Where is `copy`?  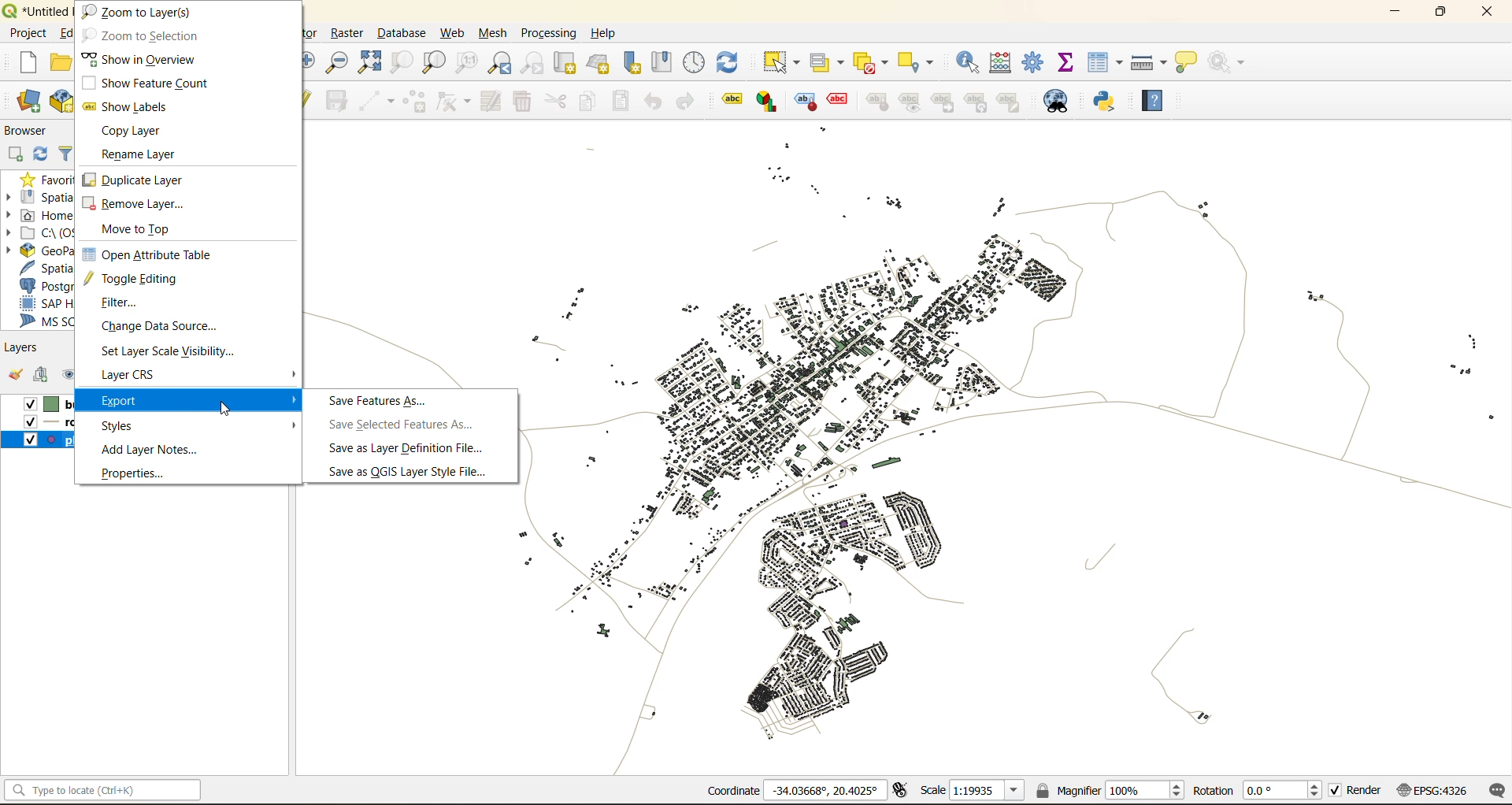 copy is located at coordinates (591, 103).